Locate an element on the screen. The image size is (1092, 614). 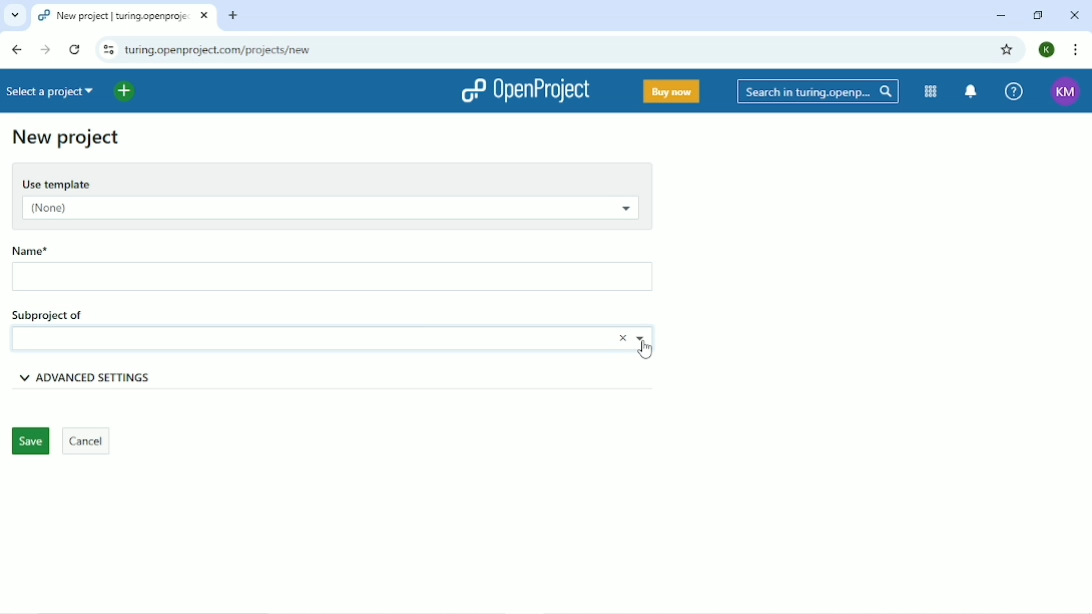
name box is located at coordinates (302, 339).